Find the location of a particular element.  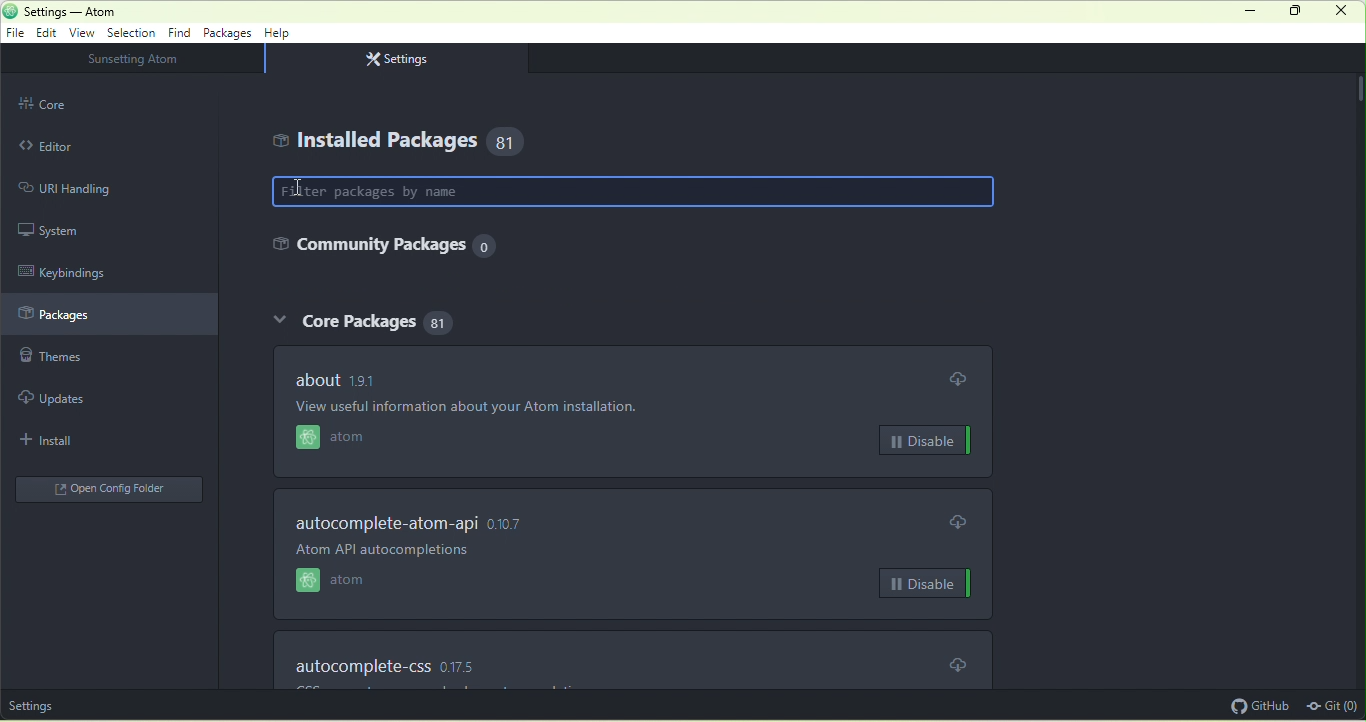

installed packages is located at coordinates (409, 141).